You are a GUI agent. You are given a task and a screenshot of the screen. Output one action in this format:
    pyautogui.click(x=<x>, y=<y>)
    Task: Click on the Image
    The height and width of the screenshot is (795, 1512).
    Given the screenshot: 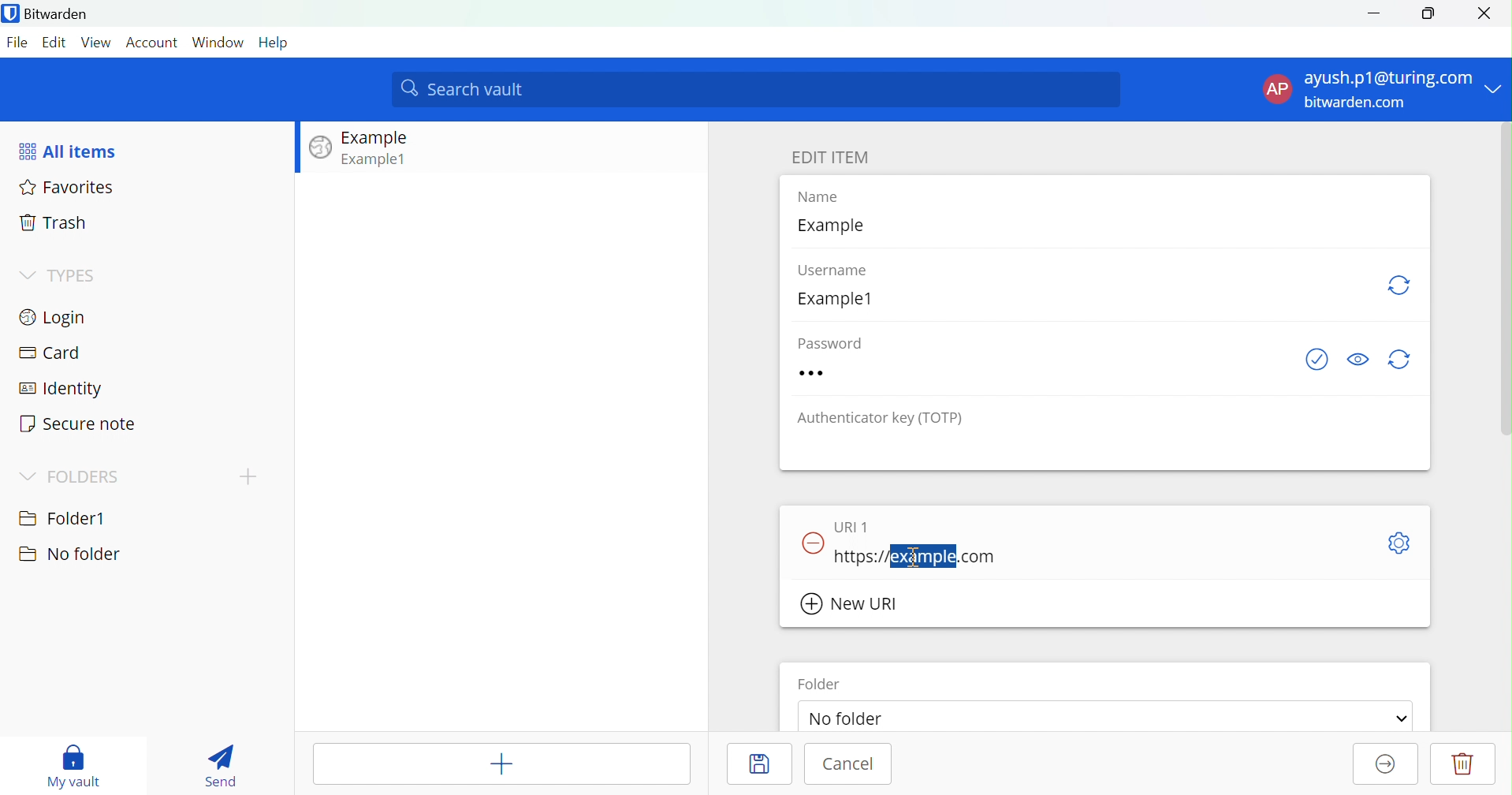 What is the action you would take?
    pyautogui.click(x=321, y=148)
    